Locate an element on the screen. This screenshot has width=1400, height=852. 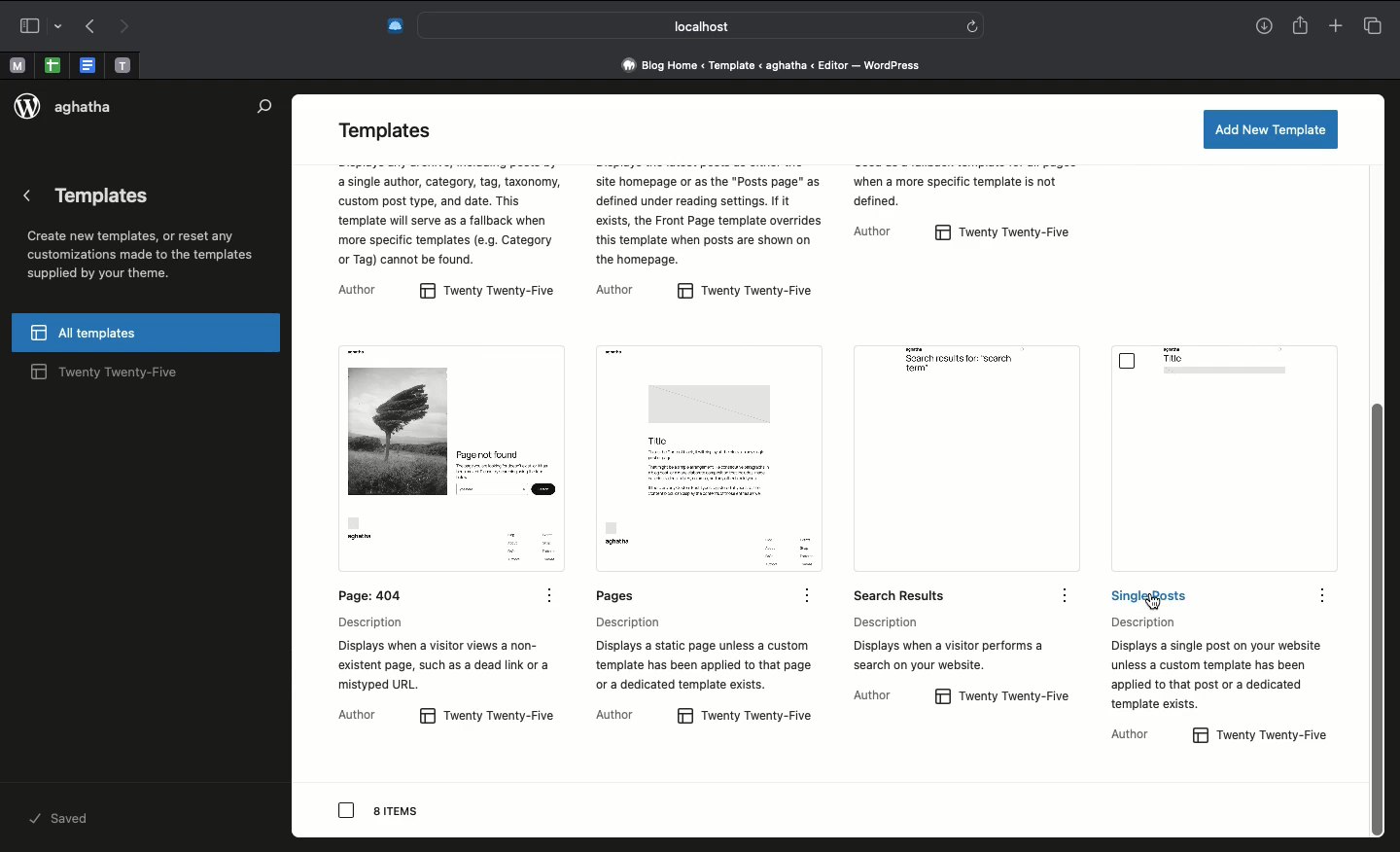
scroll bar is located at coordinates (1373, 612).